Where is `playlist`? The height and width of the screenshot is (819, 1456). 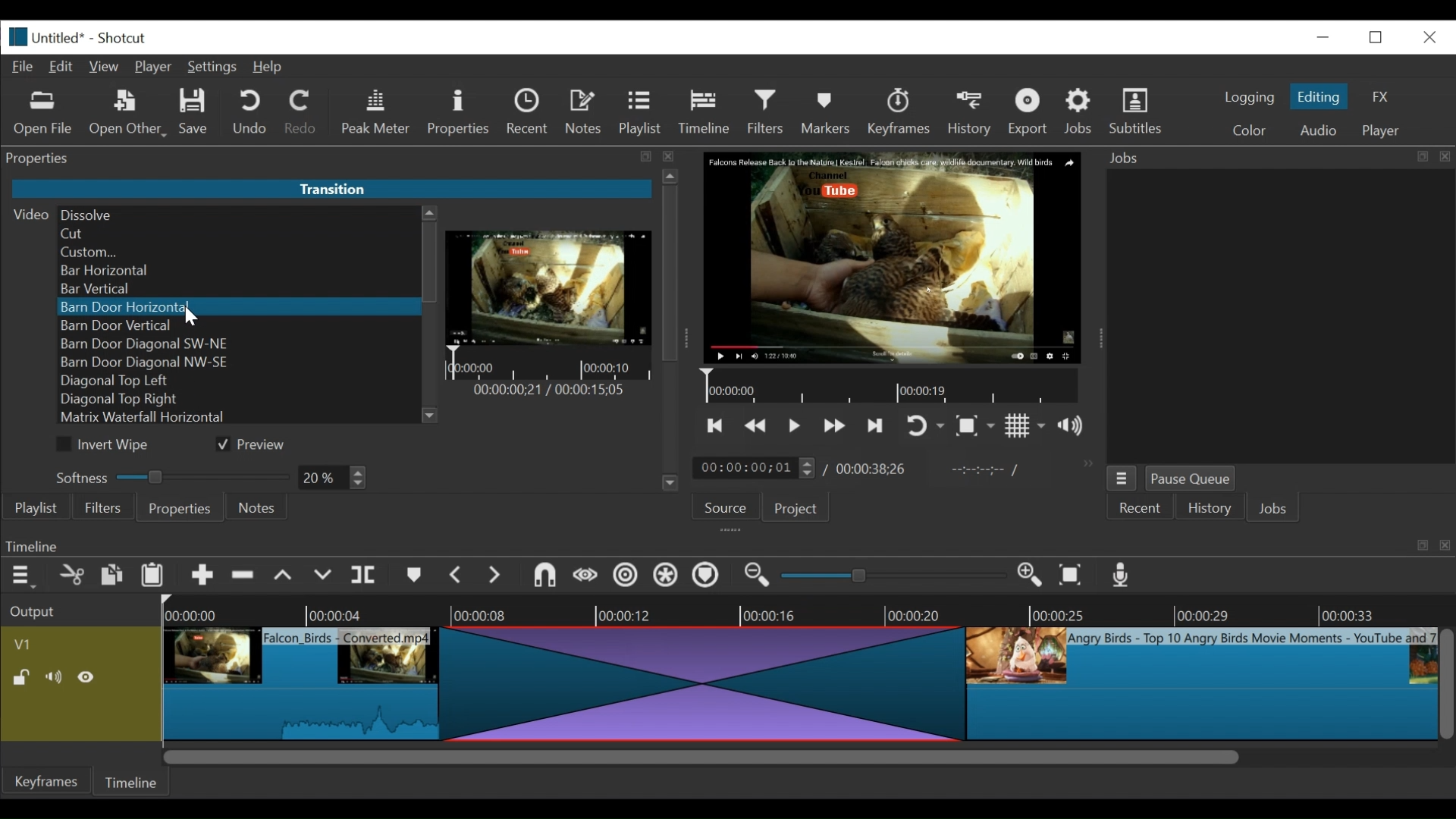 playlist is located at coordinates (35, 508).